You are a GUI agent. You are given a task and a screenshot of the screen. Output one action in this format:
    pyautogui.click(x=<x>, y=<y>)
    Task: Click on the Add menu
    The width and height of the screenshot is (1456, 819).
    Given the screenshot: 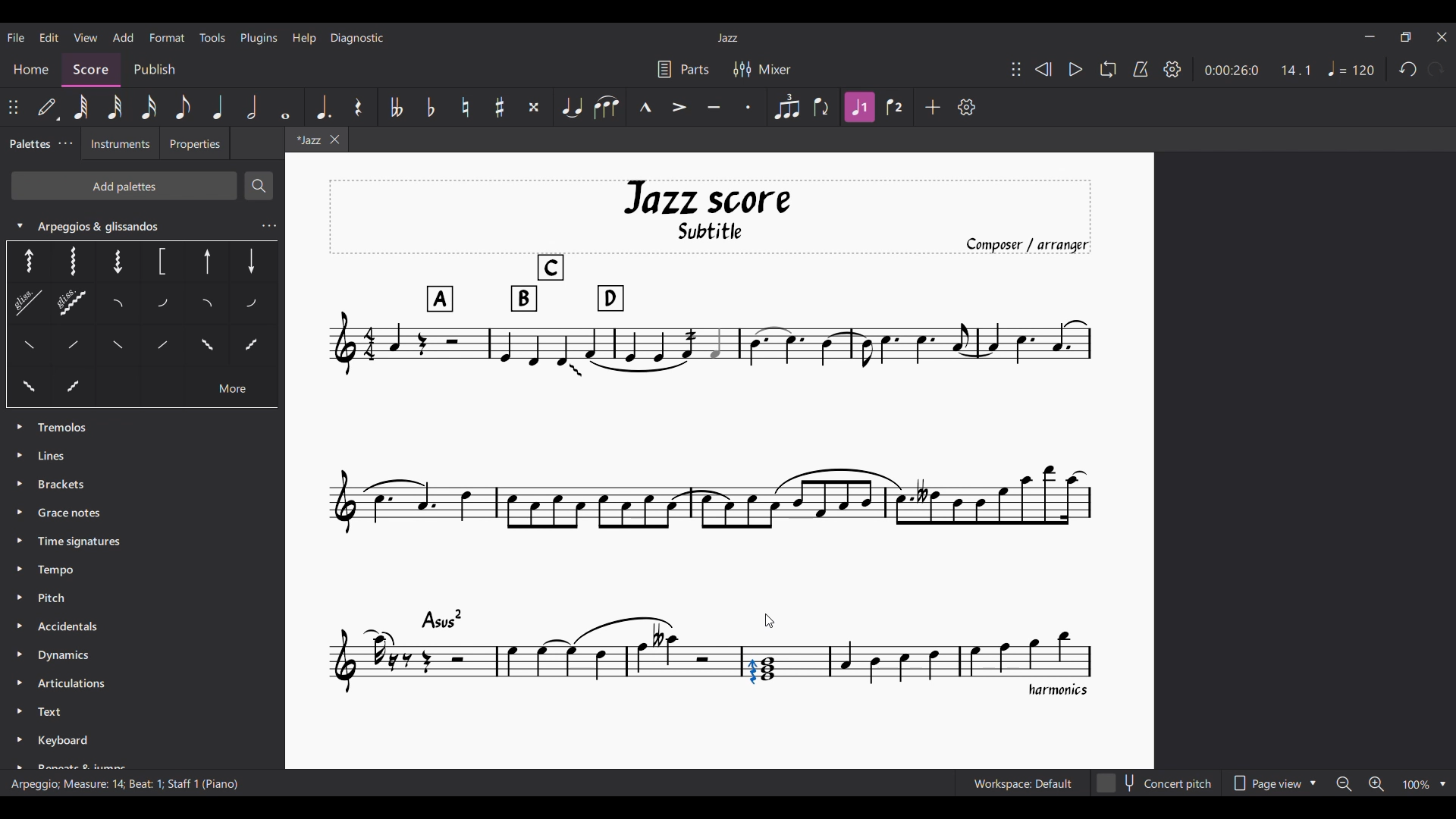 What is the action you would take?
    pyautogui.click(x=124, y=38)
    